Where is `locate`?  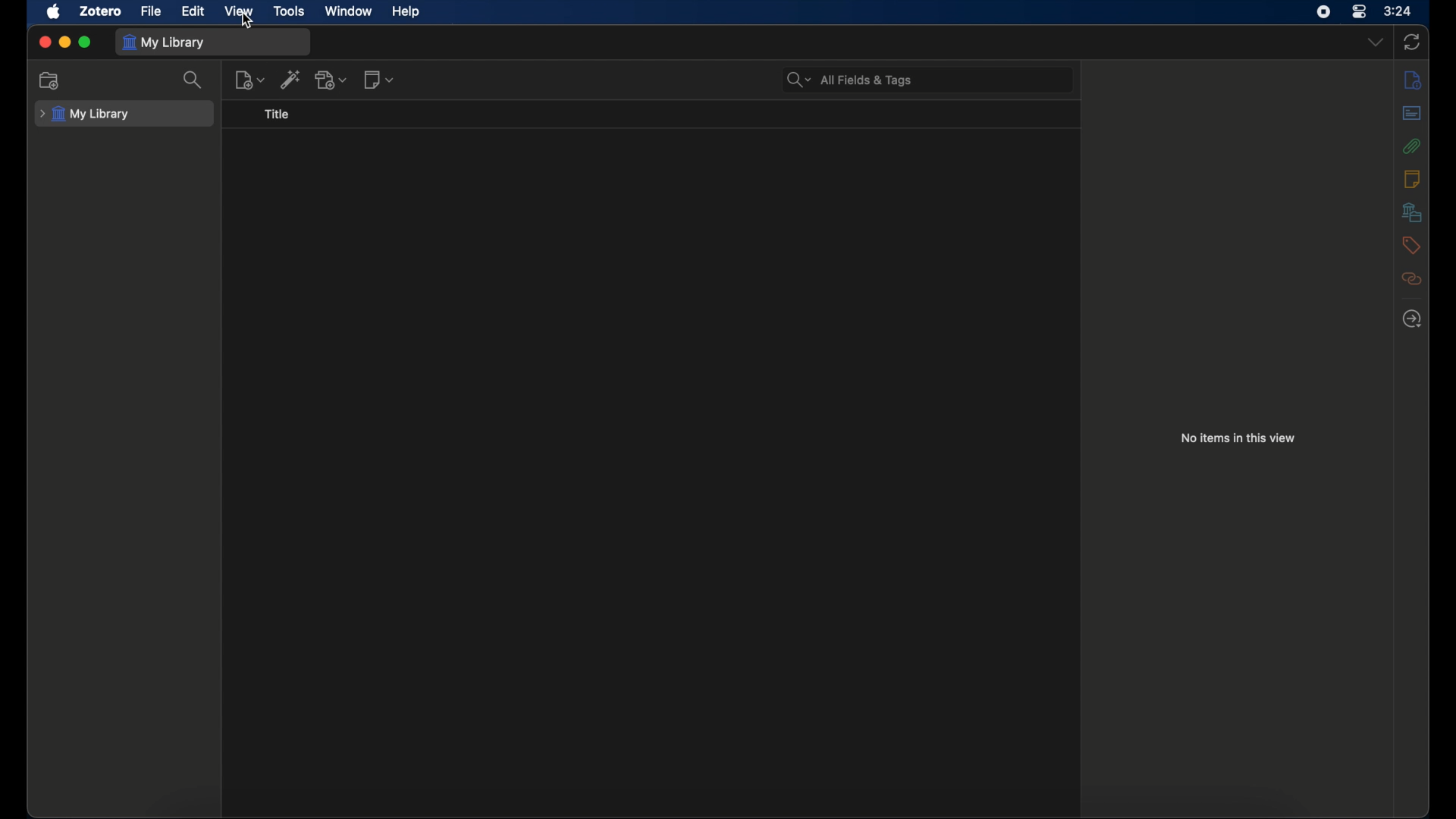 locate is located at coordinates (1414, 319).